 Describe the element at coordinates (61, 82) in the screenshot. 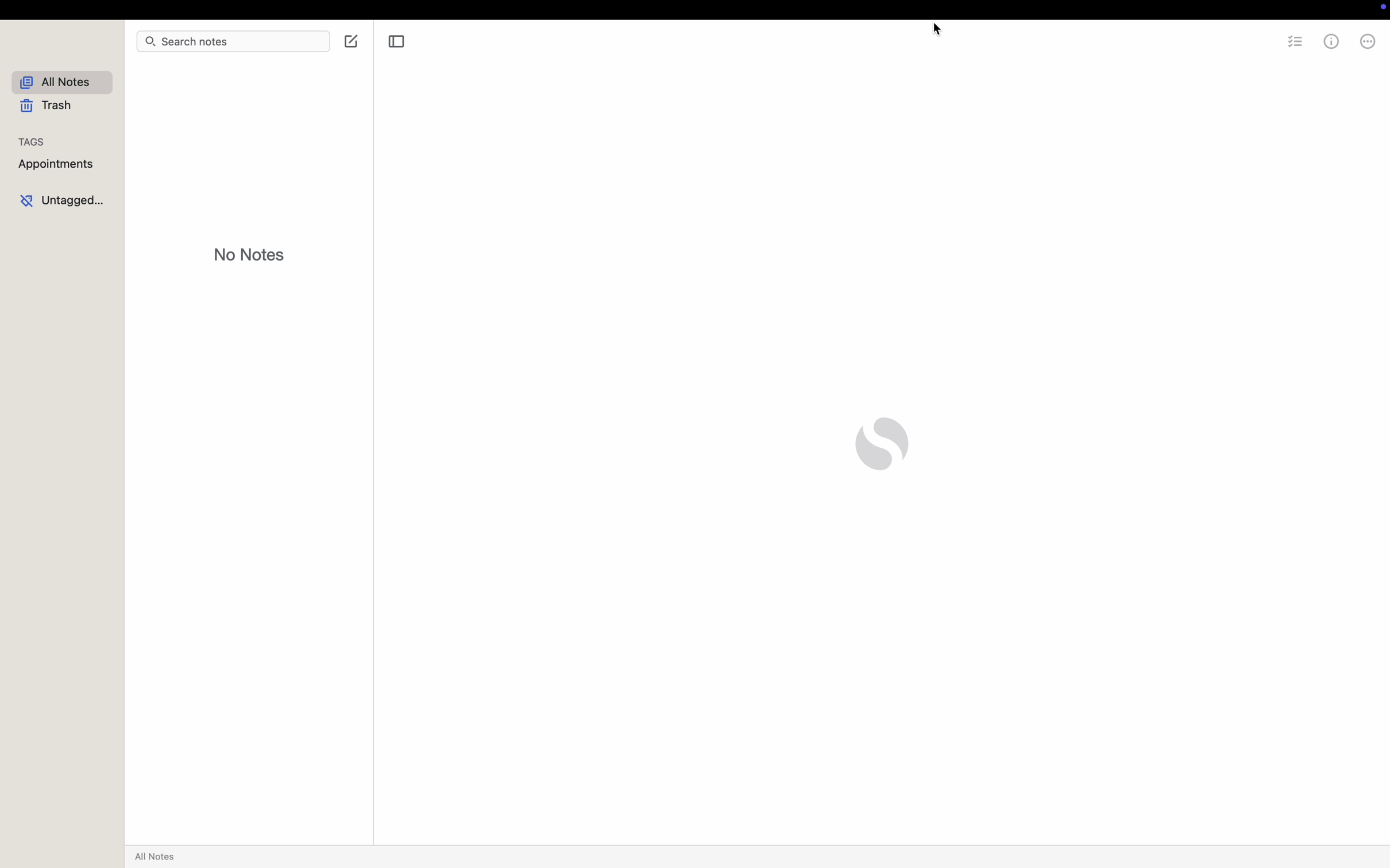

I see `all notes` at that location.